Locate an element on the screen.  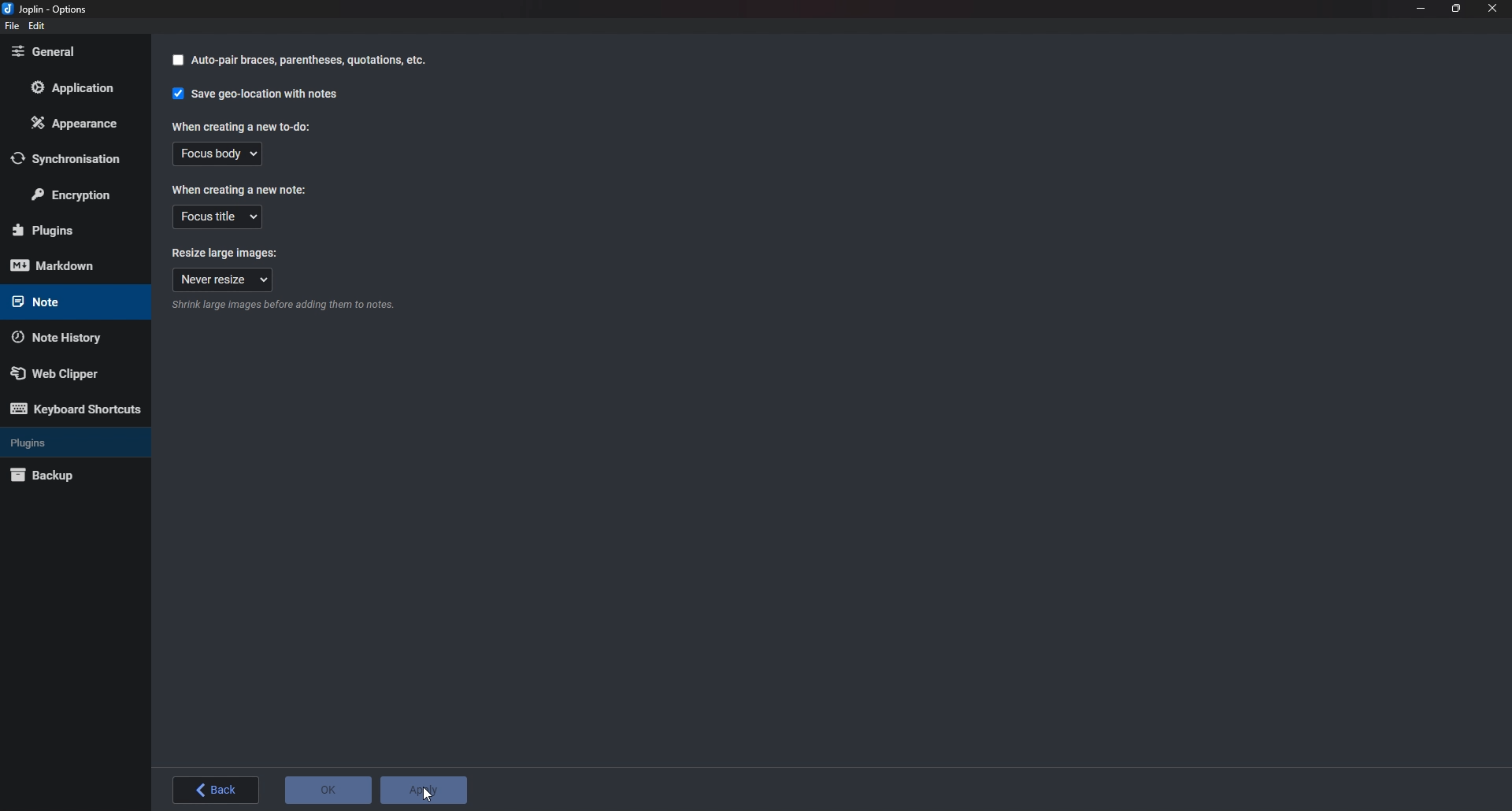
Web Clipper is located at coordinates (70, 372).